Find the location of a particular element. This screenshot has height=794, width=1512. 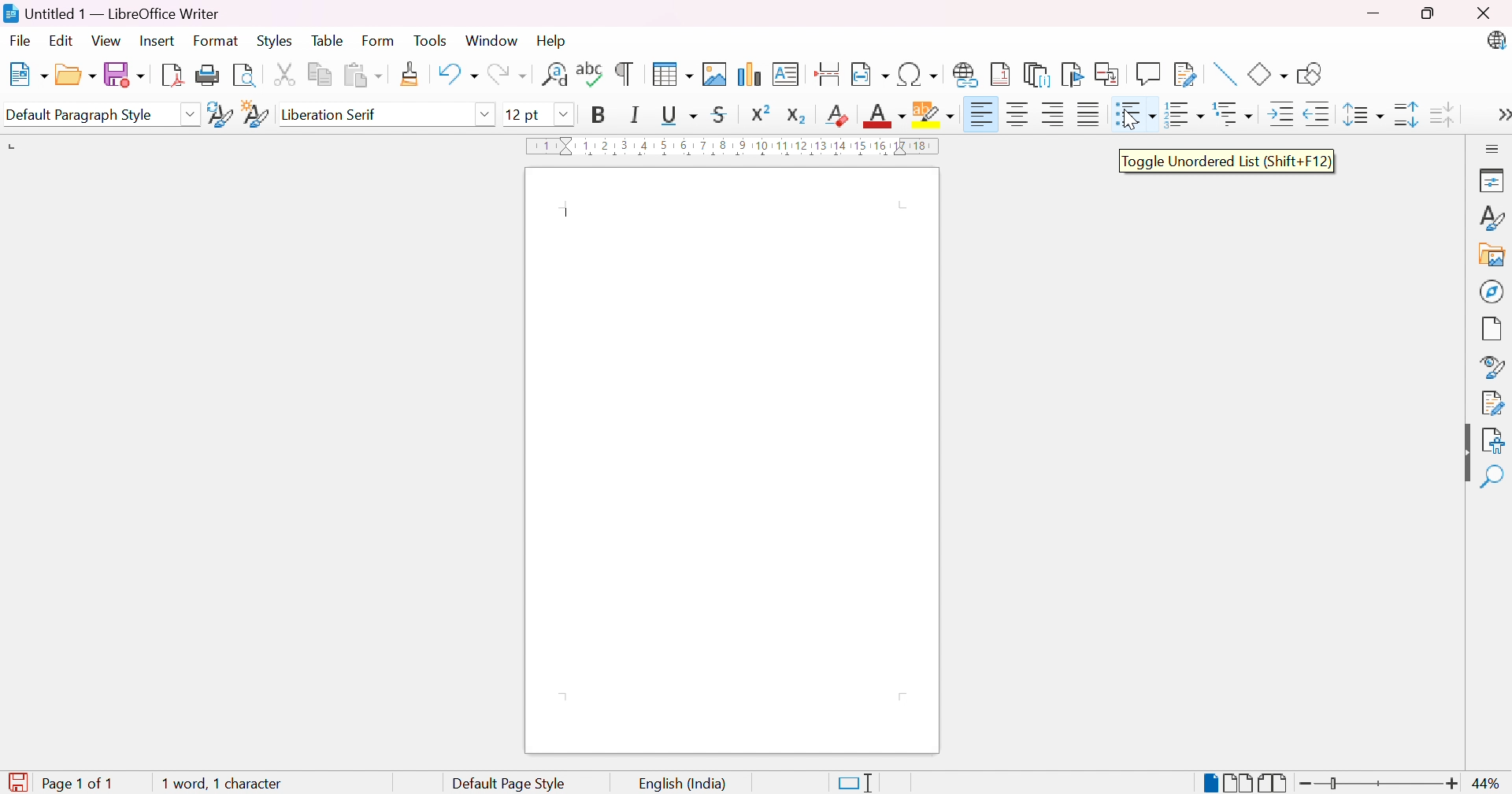

Toggle Unordered list (Shift+F12) is located at coordinates (1227, 164).